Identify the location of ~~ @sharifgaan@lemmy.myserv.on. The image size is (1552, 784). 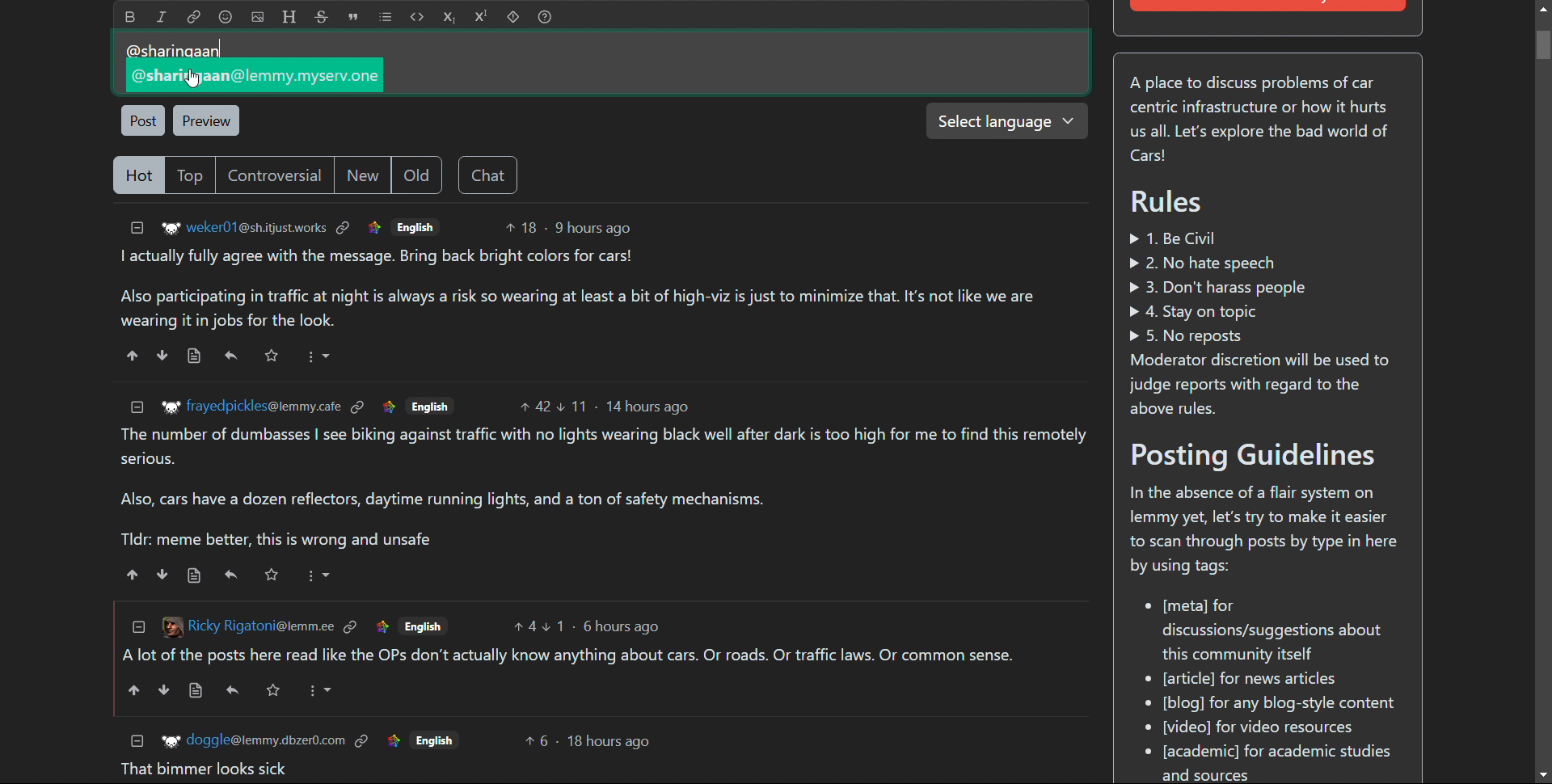
(254, 76).